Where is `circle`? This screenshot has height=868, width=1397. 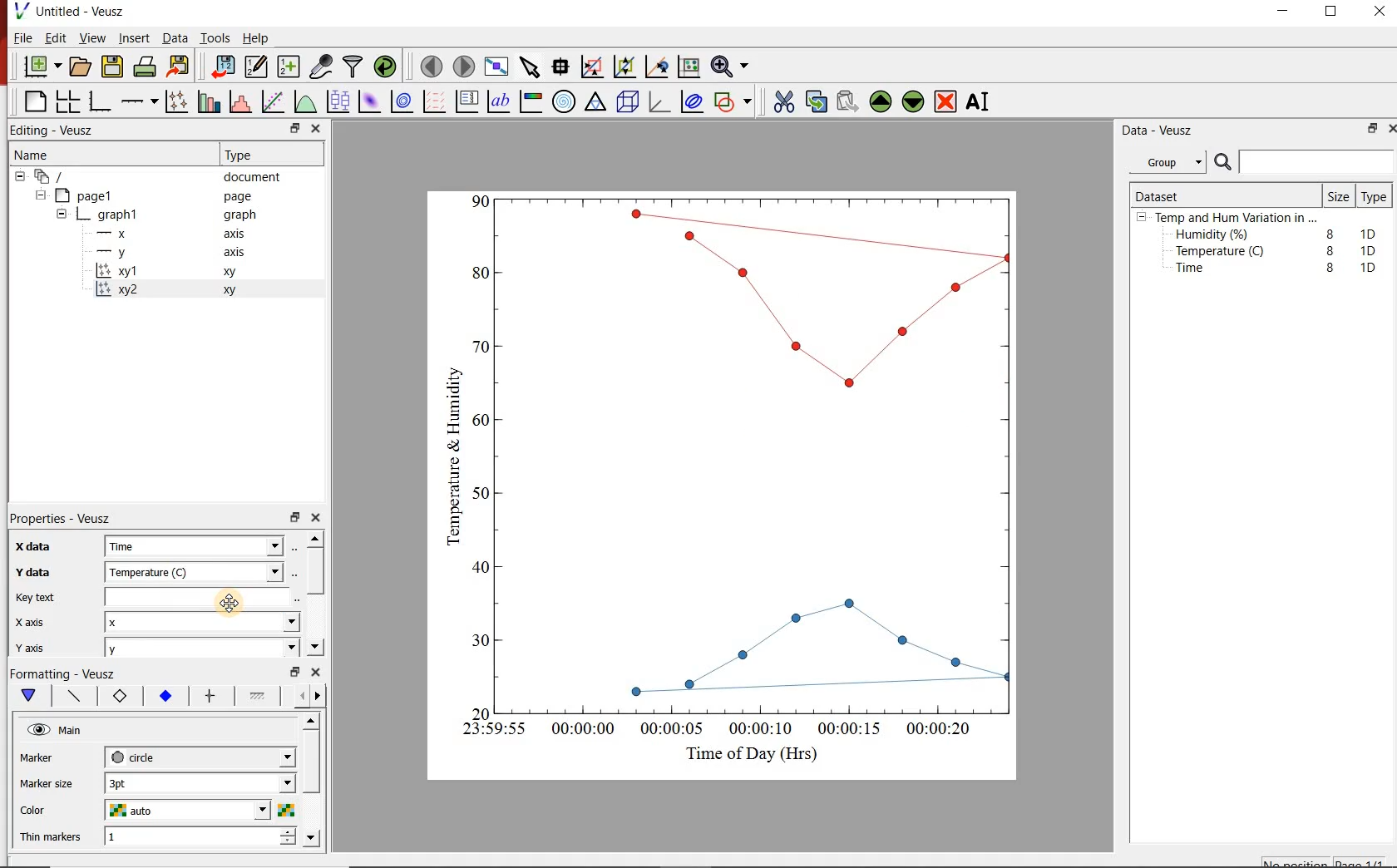 circle is located at coordinates (136, 757).